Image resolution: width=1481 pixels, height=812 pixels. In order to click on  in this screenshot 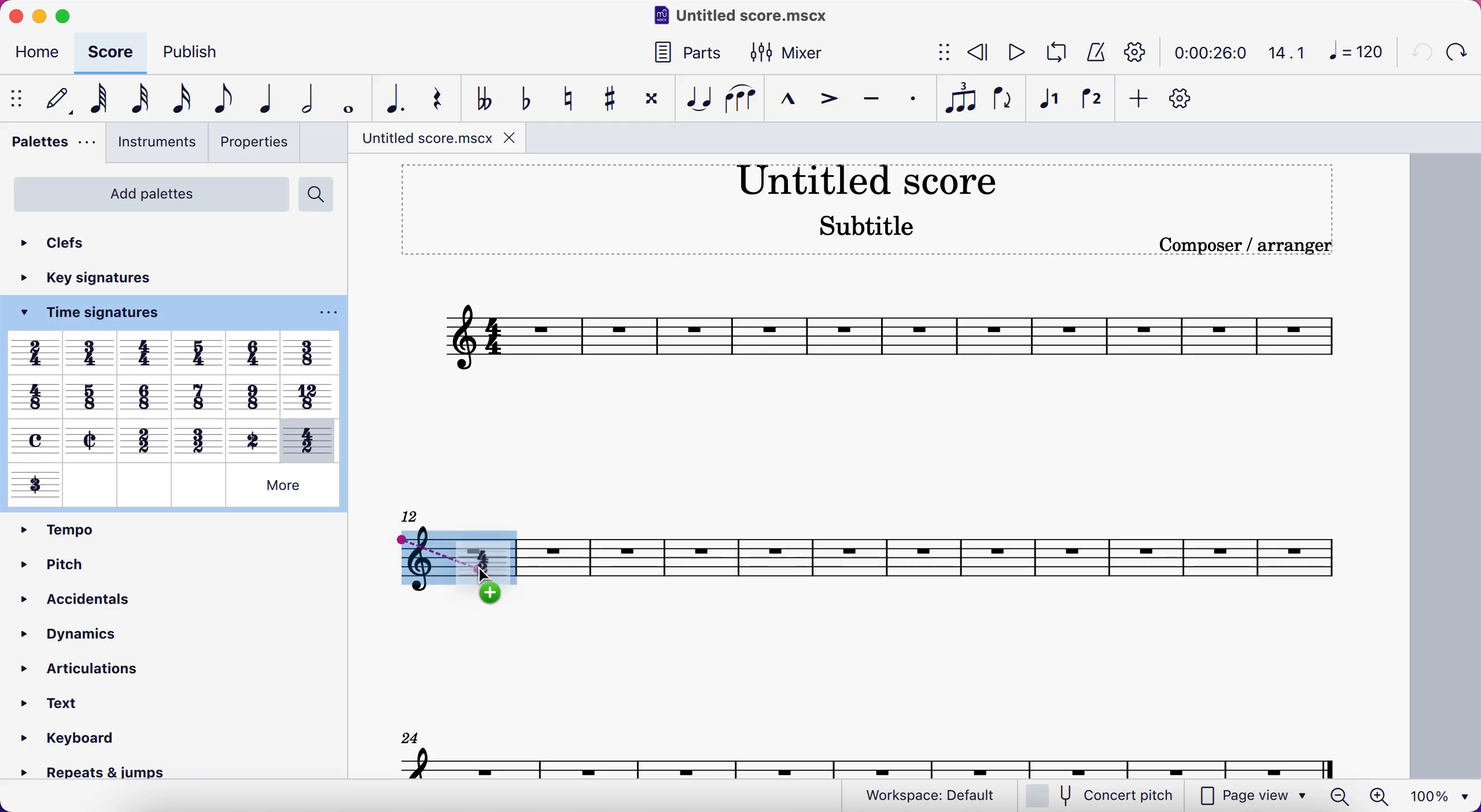, I will do `click(34, 396)`.